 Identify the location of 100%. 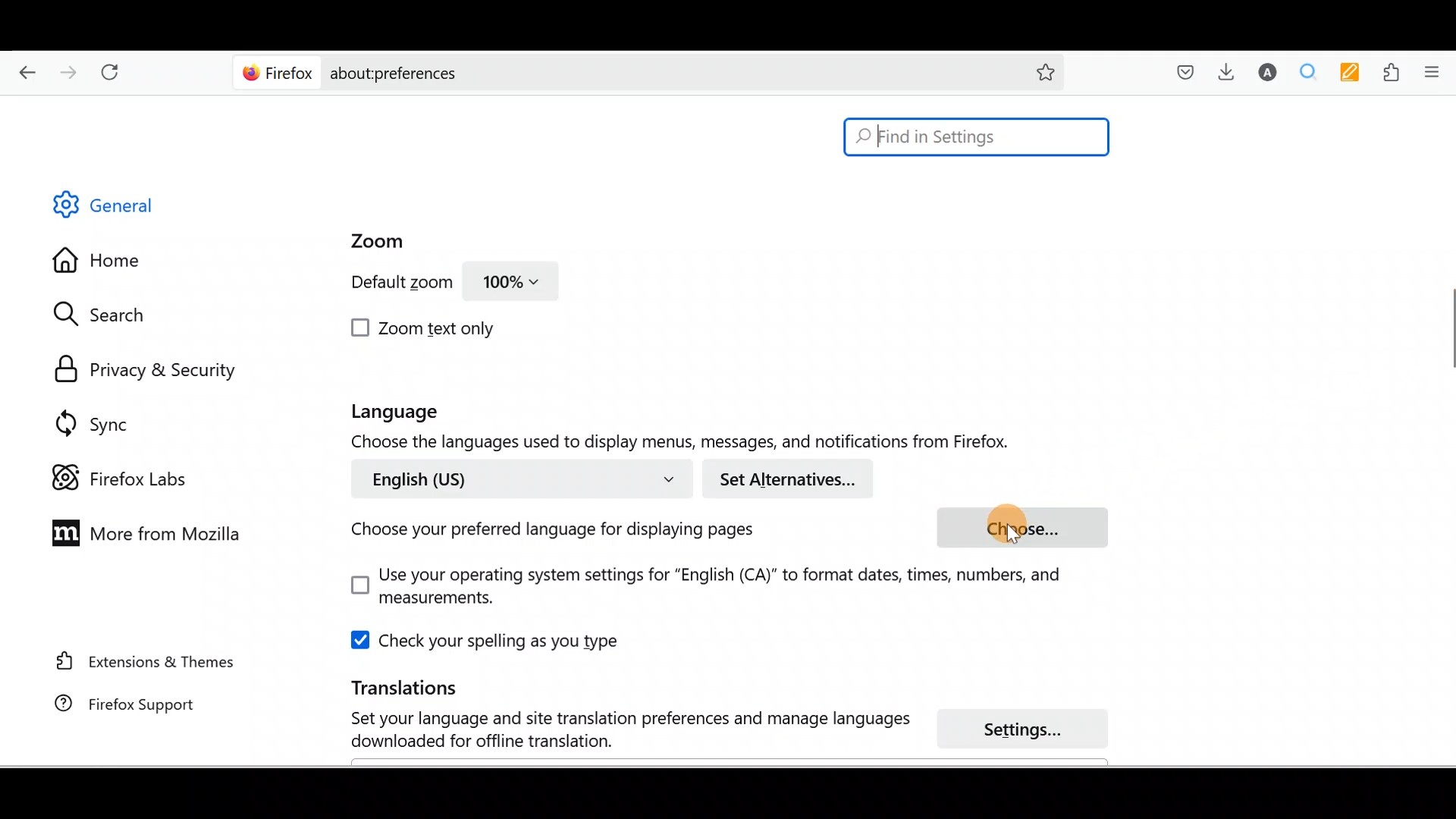
(512, 285).